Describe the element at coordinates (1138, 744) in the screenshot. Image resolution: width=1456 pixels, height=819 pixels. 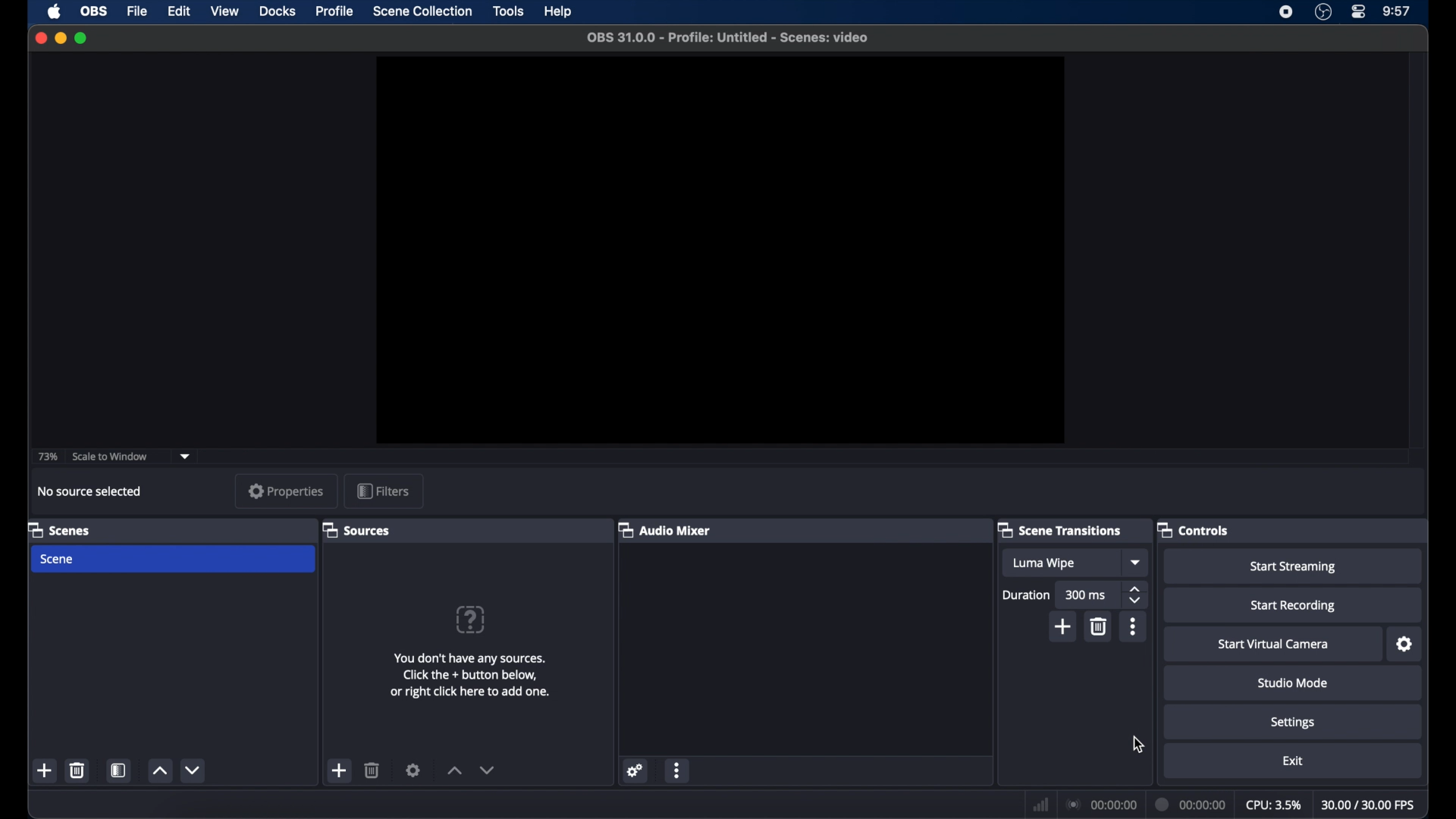
I see `cursor` at that location.